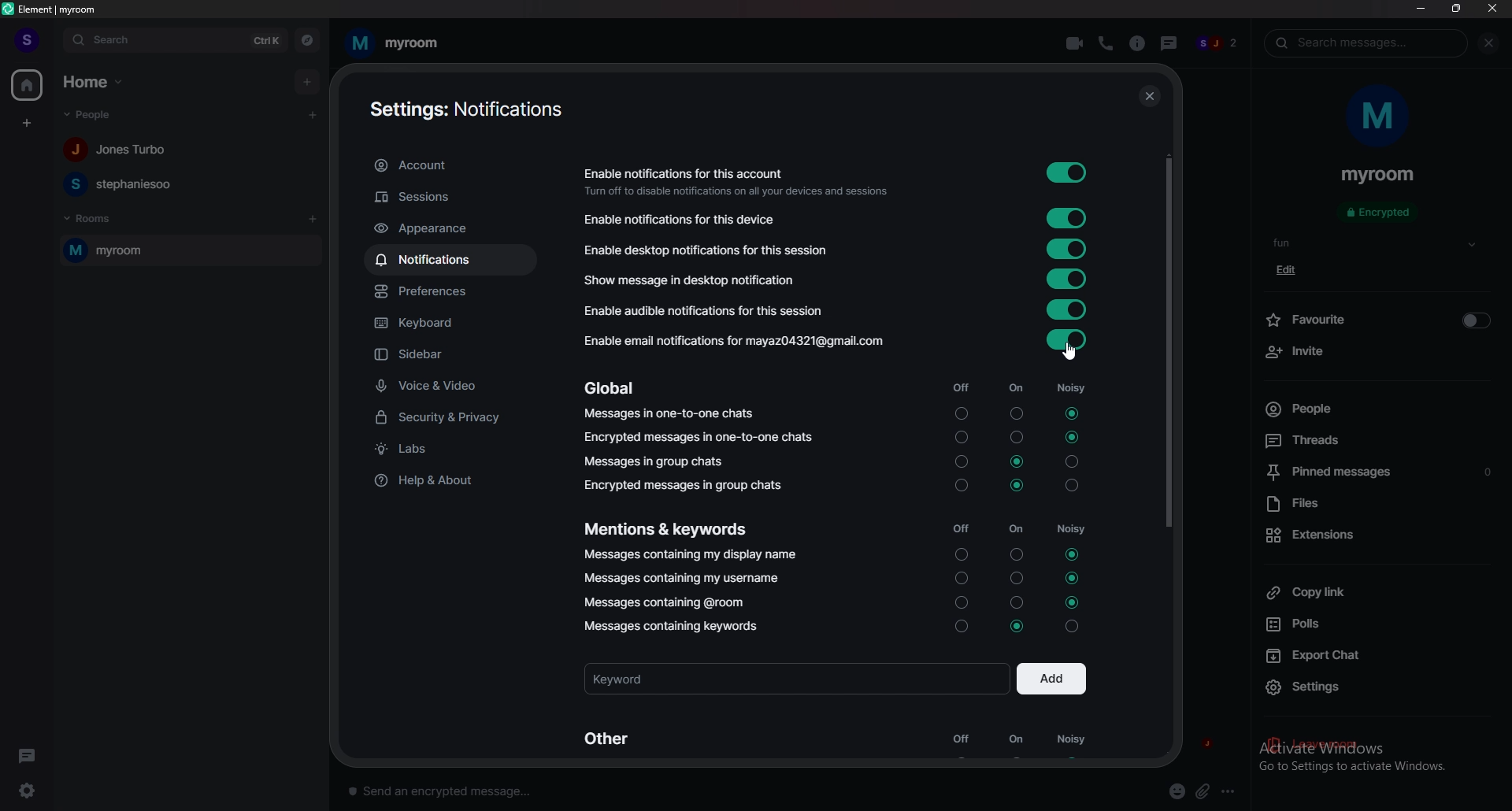  Describe the element at coordinates (26, 123) in the screenshot. I see `create space` at that location.